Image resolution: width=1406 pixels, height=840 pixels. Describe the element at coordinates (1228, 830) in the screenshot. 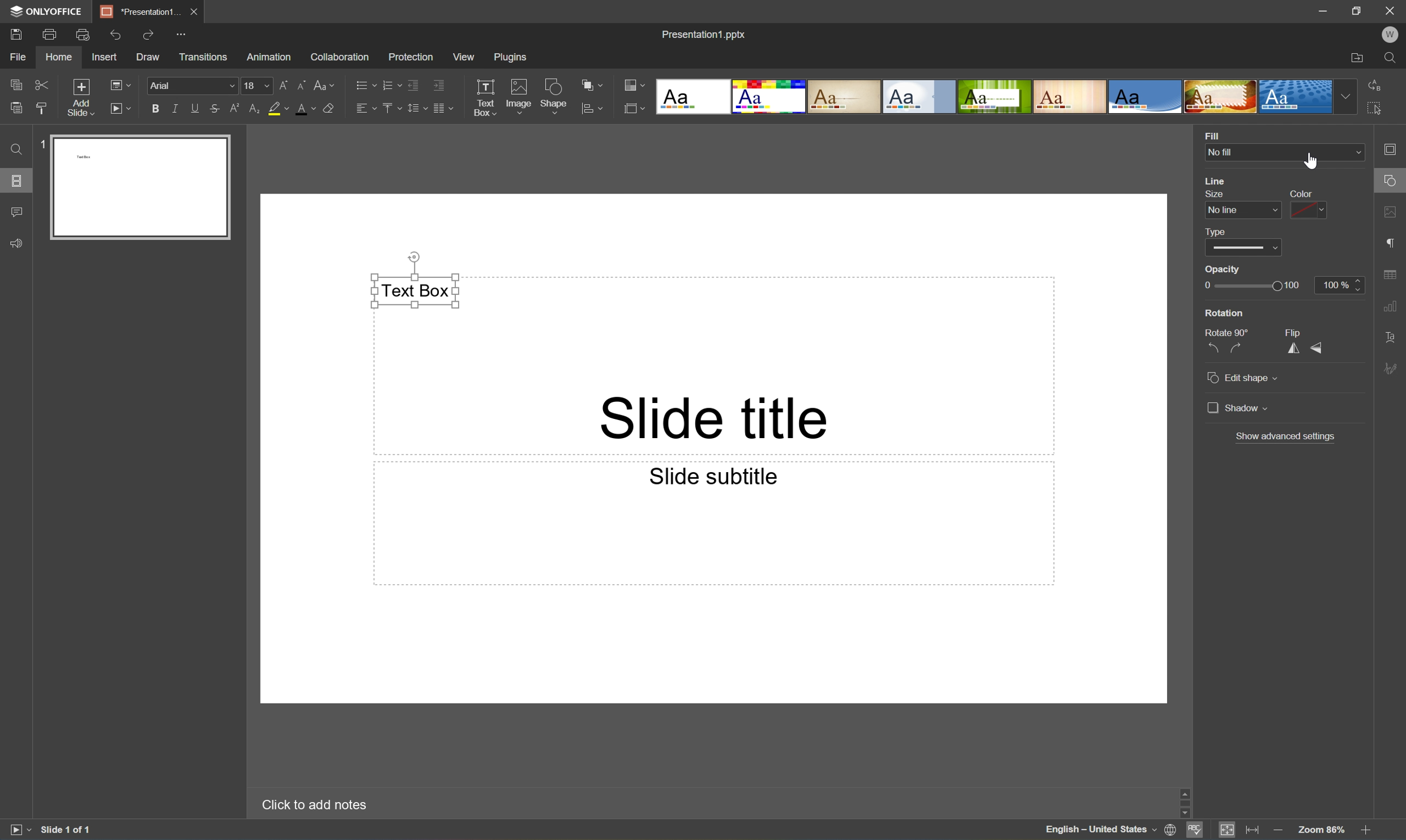

I see `Fit to slide` at that location.